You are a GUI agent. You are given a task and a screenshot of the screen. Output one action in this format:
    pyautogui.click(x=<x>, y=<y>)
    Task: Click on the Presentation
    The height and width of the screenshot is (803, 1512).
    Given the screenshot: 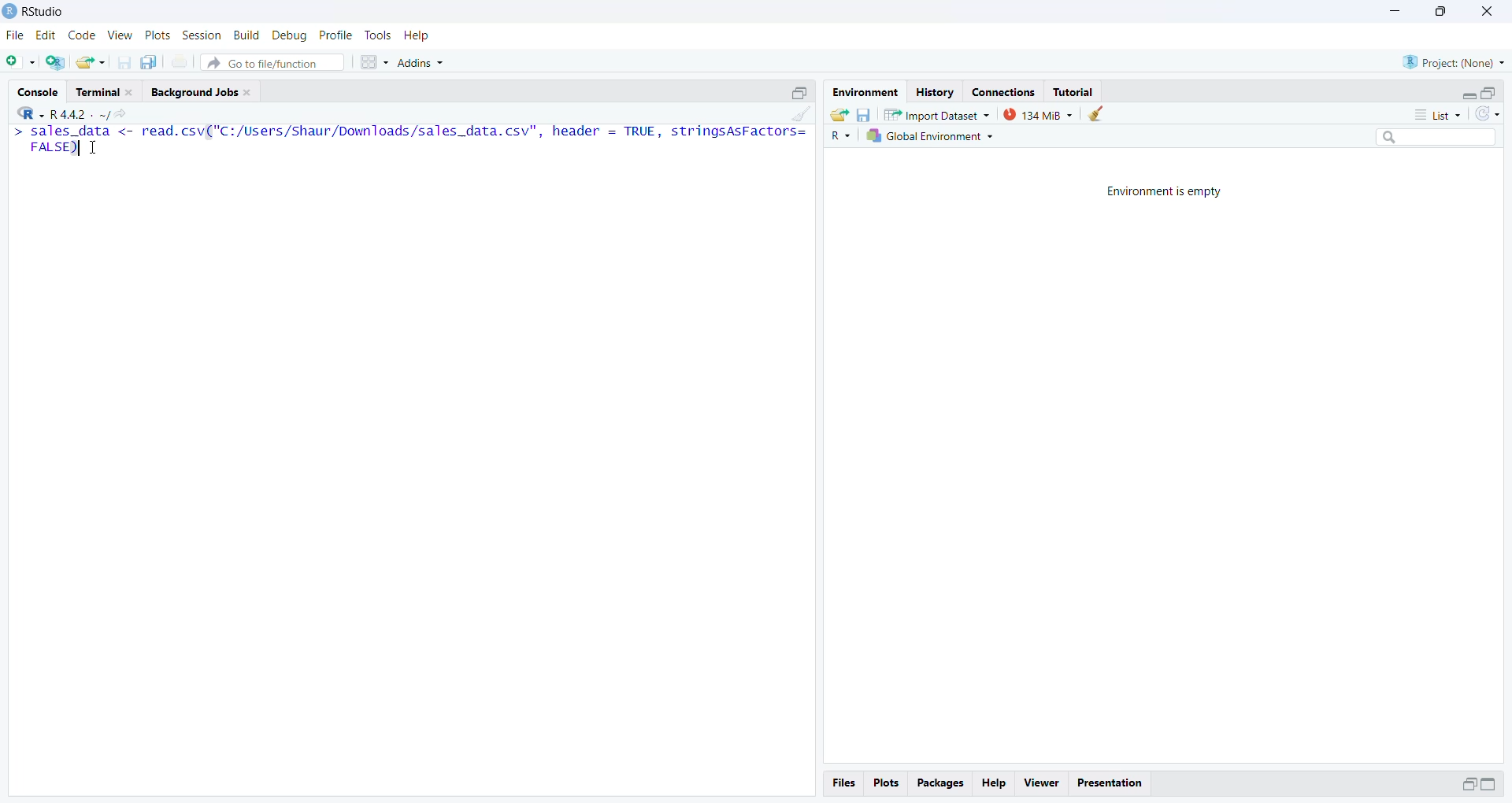 What is the action you would take?
    pyautogui.click(x=1112, y=783)
    